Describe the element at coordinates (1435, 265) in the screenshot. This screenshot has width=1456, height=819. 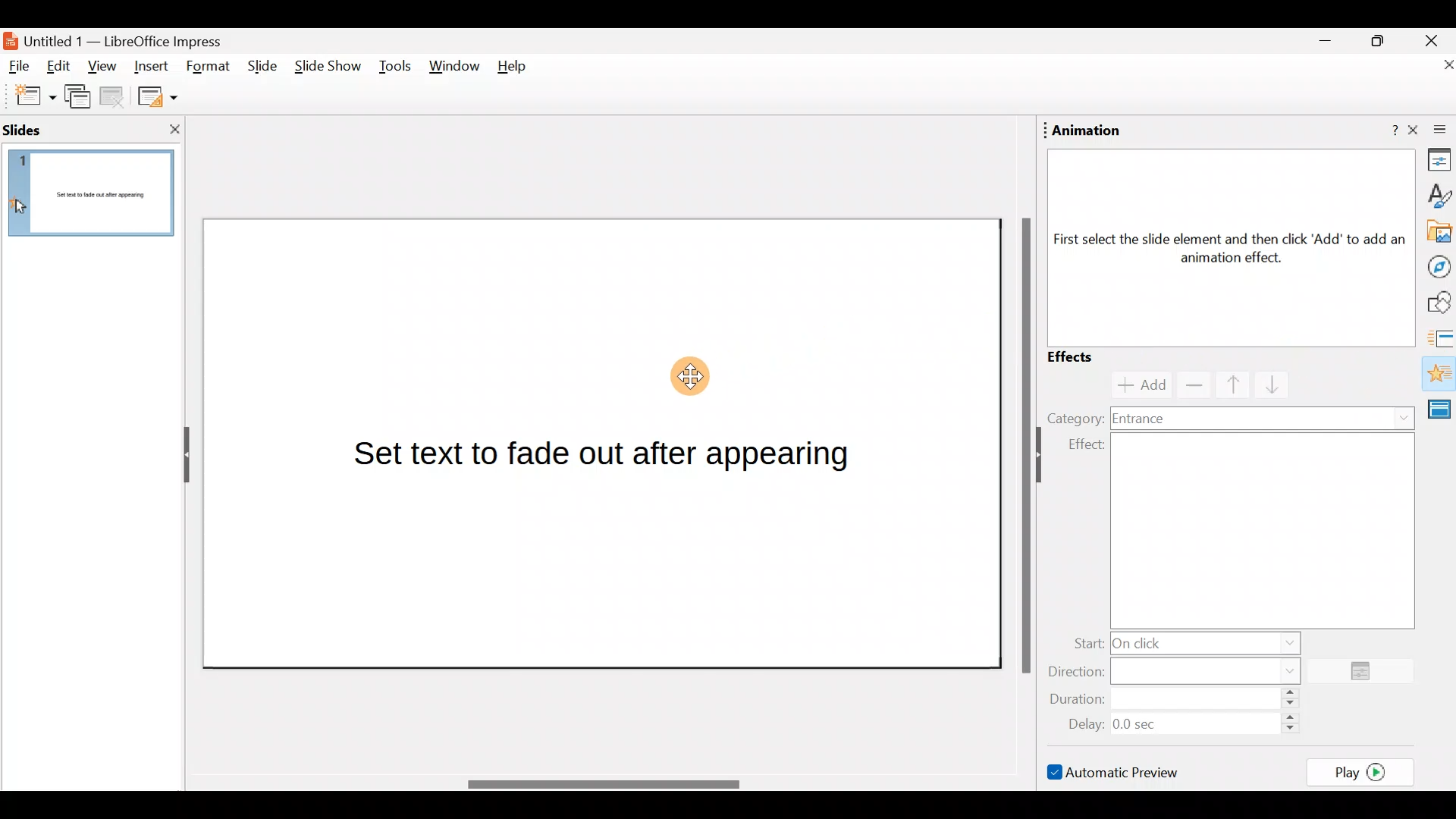
I see `Navigator` at that location.